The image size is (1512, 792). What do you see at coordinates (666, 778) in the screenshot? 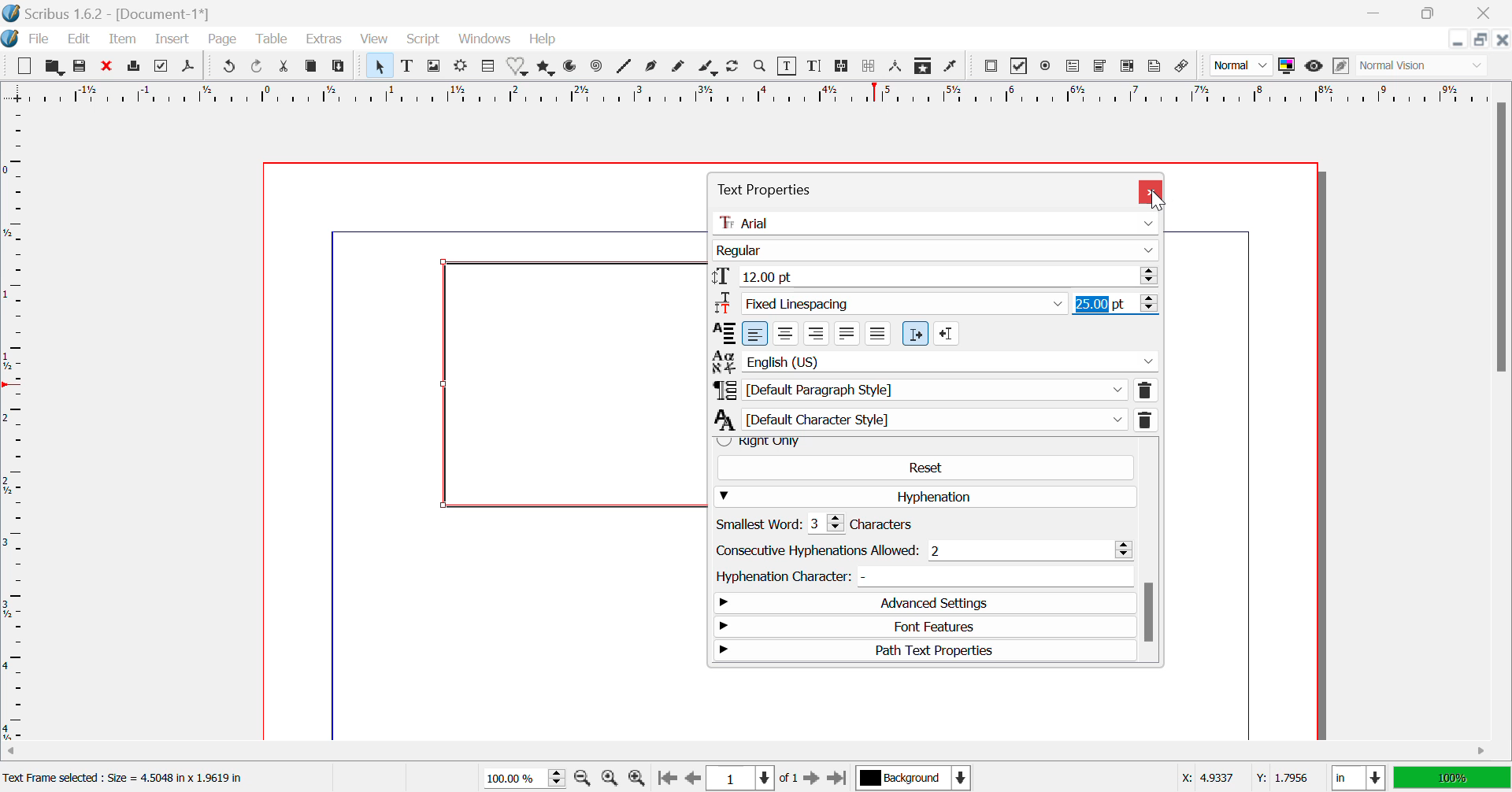
I see `First Page` at bounding box center [666, 778].